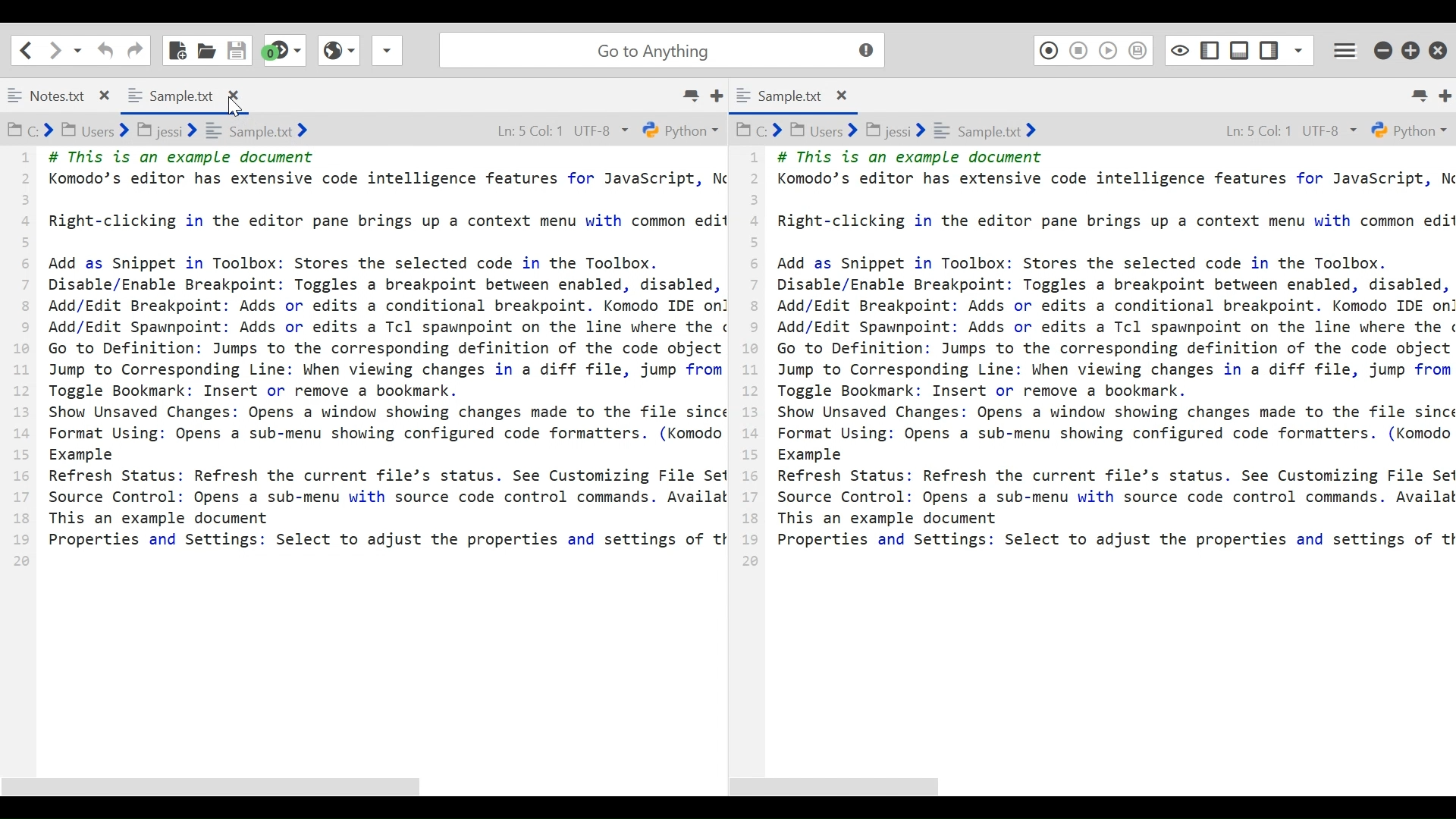  Describe the element at coordinates (55, 50) in the screenshot. I see `Click to go forward one location` at that location.